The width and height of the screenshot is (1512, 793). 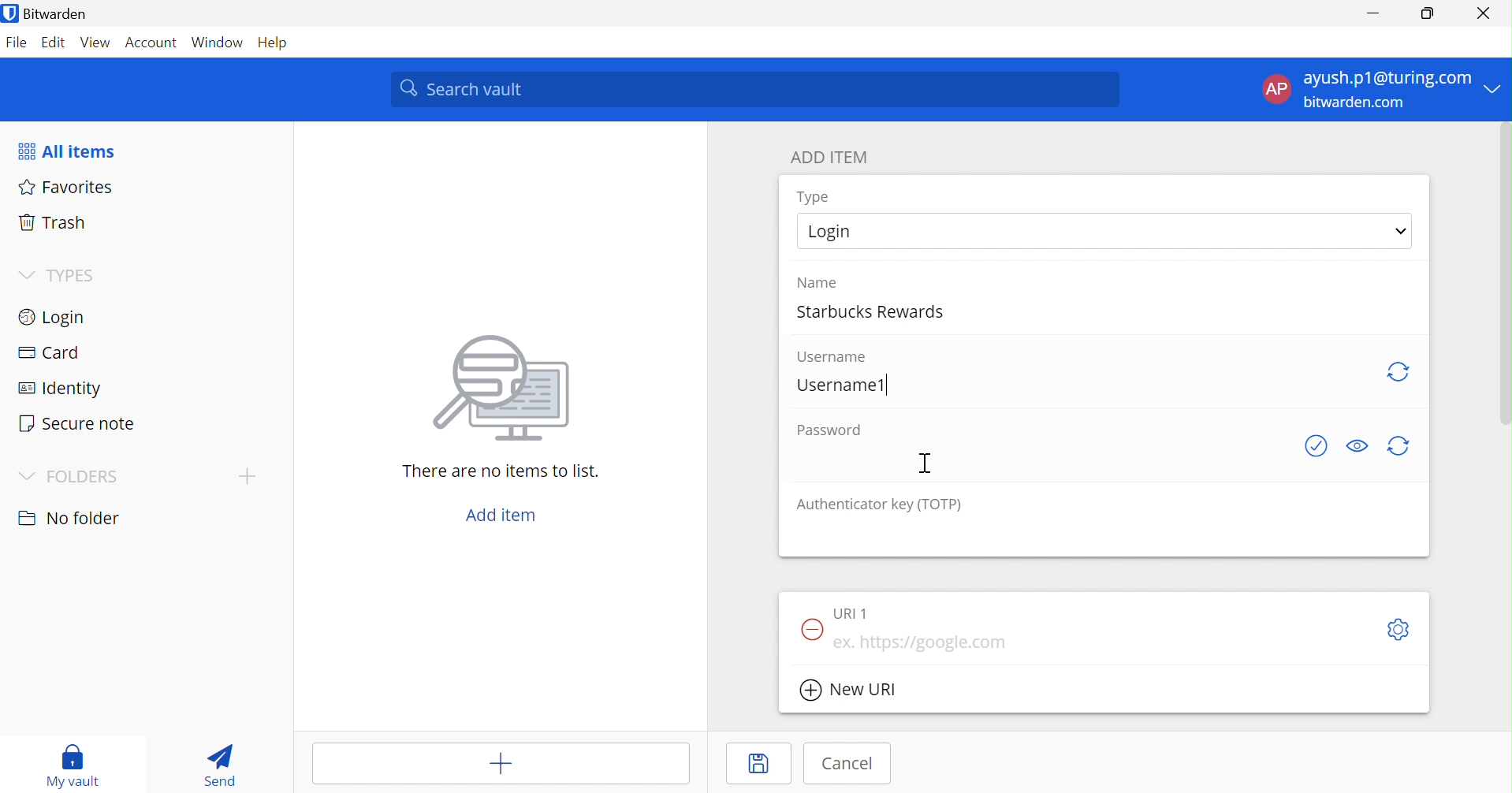 I want to click on ex. https://google.com, so click(x=931, y=643).